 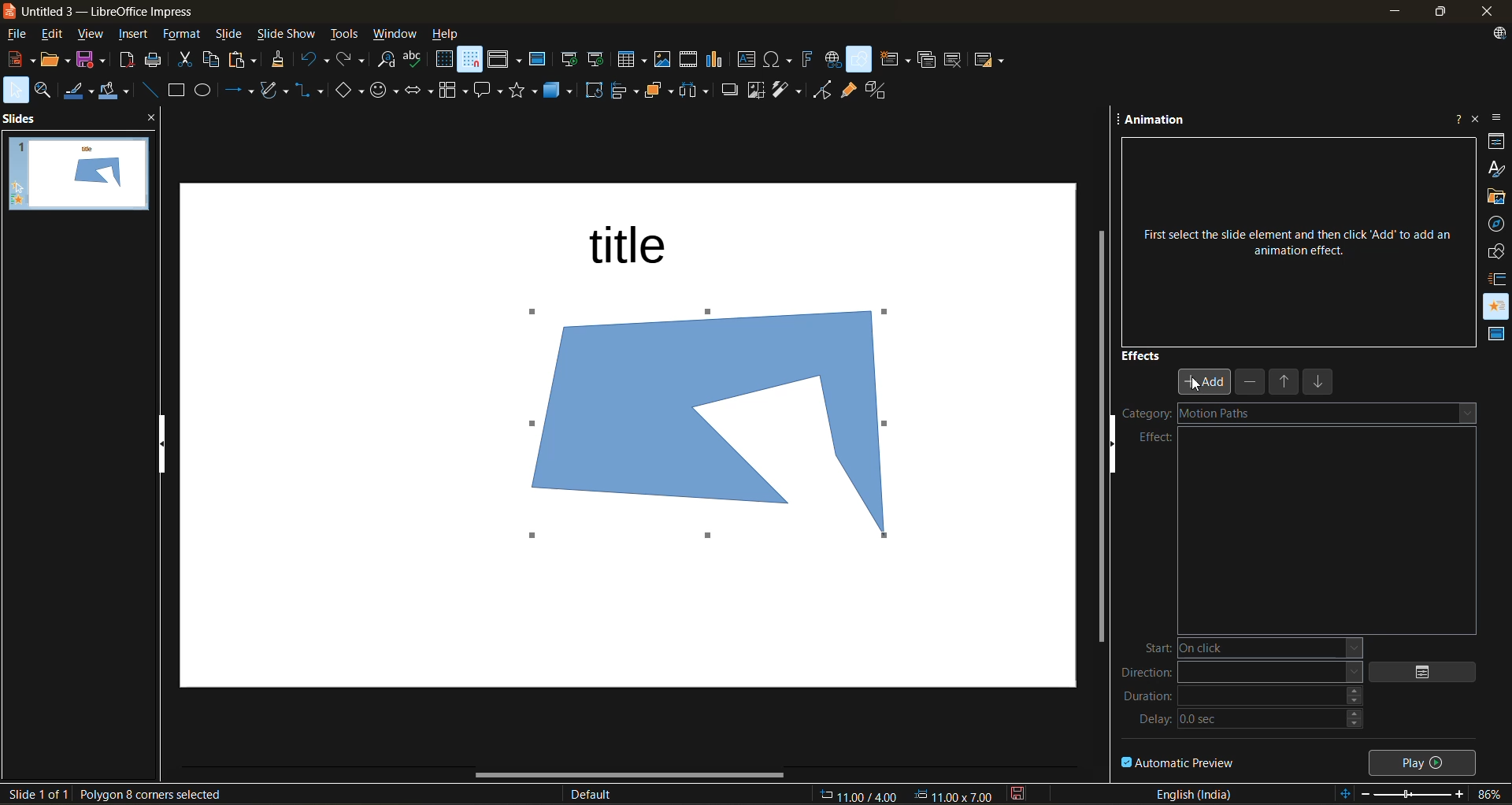 What do you see at coordinates (1317, 384) in the screenshot?
I see `move down` at bounding box center [1317, 384].